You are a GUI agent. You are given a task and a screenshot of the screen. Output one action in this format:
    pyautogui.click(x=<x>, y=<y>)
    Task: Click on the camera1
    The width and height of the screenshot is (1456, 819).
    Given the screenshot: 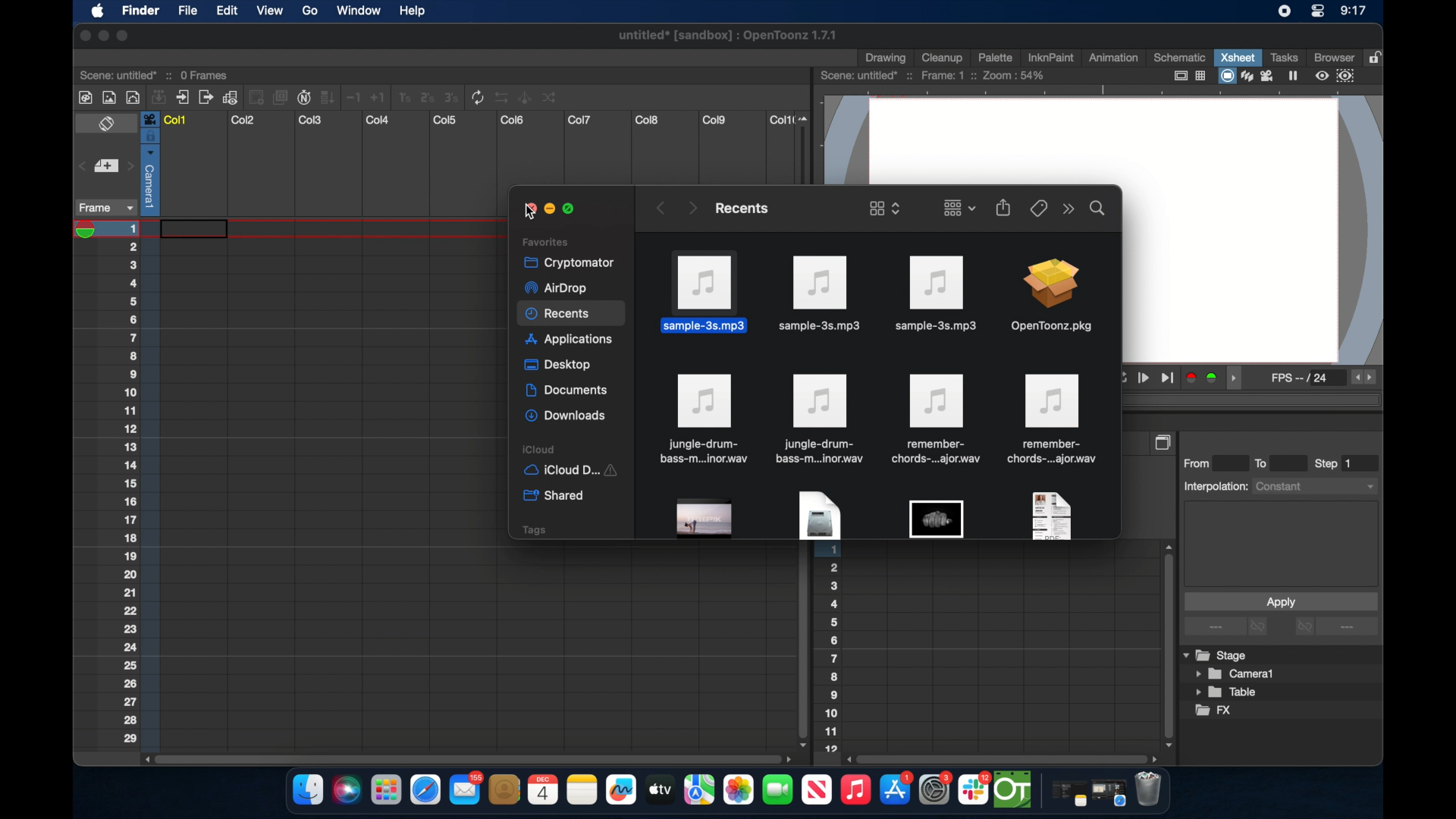 What is the action you would take?
    pyautogui.click(x=1236, y=674)
    